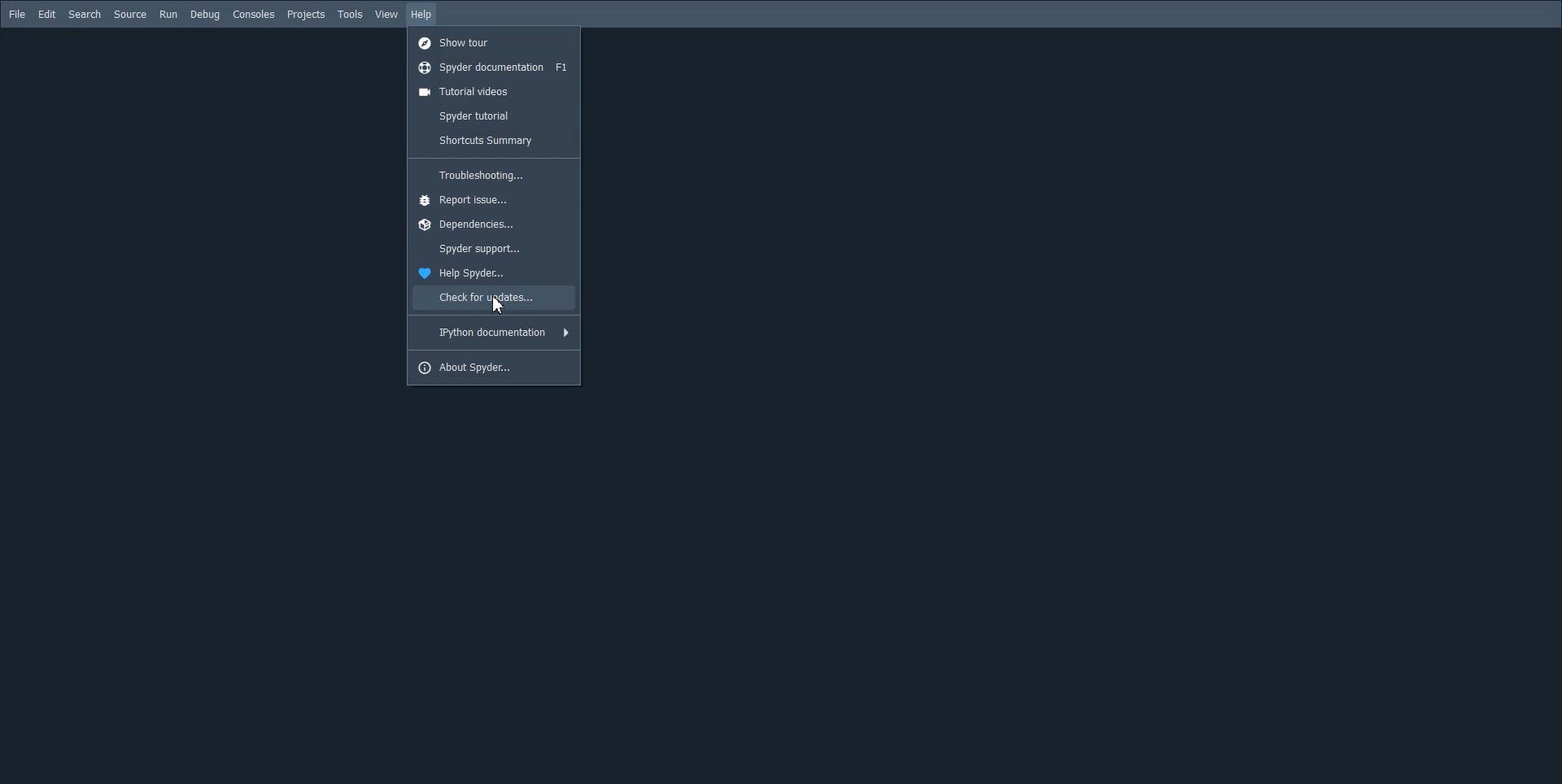 The image size is (1562, 784). I want to click on Search, so click(85, 14).